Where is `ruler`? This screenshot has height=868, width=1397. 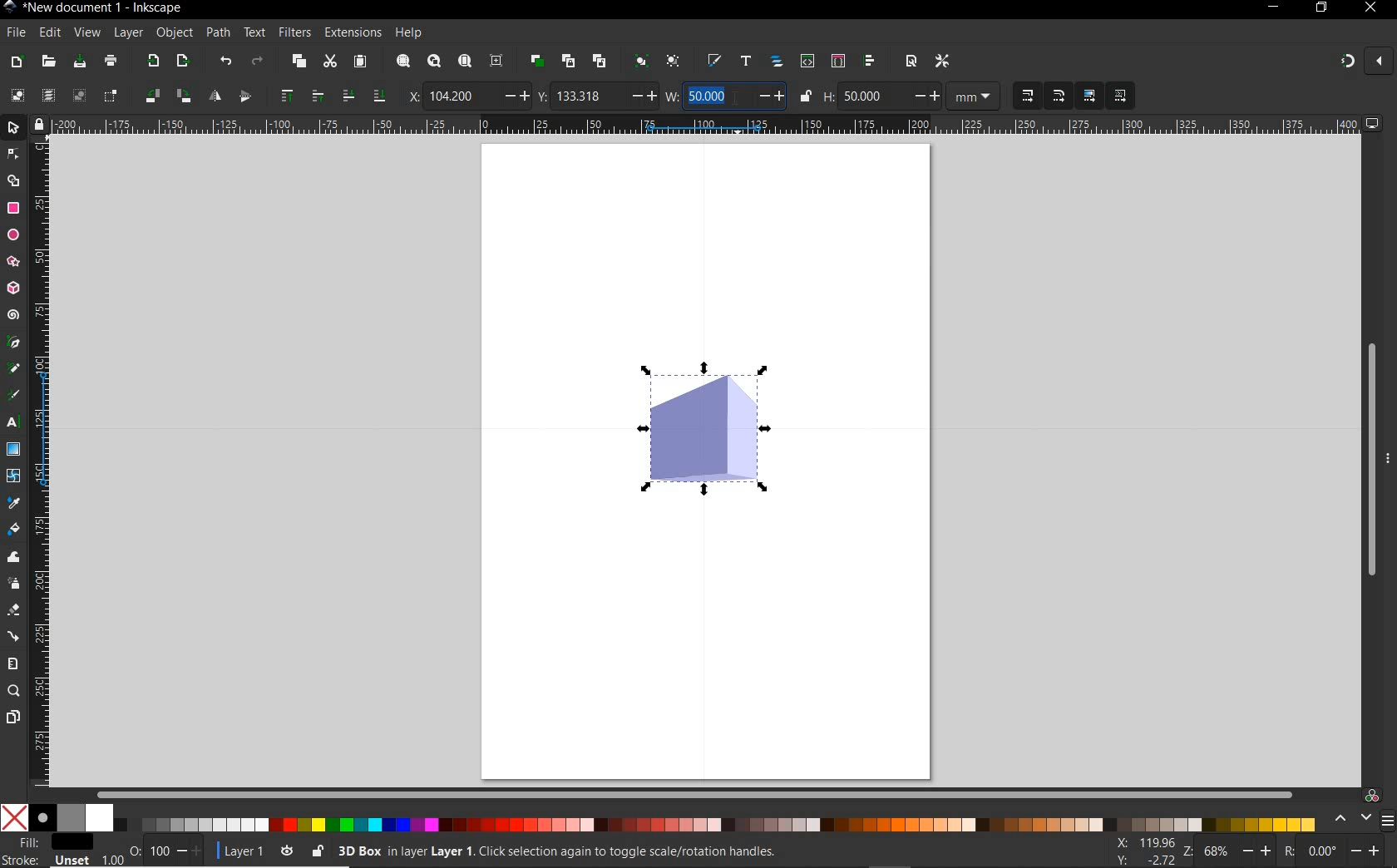
ruler is located at coordinates (42, 461).